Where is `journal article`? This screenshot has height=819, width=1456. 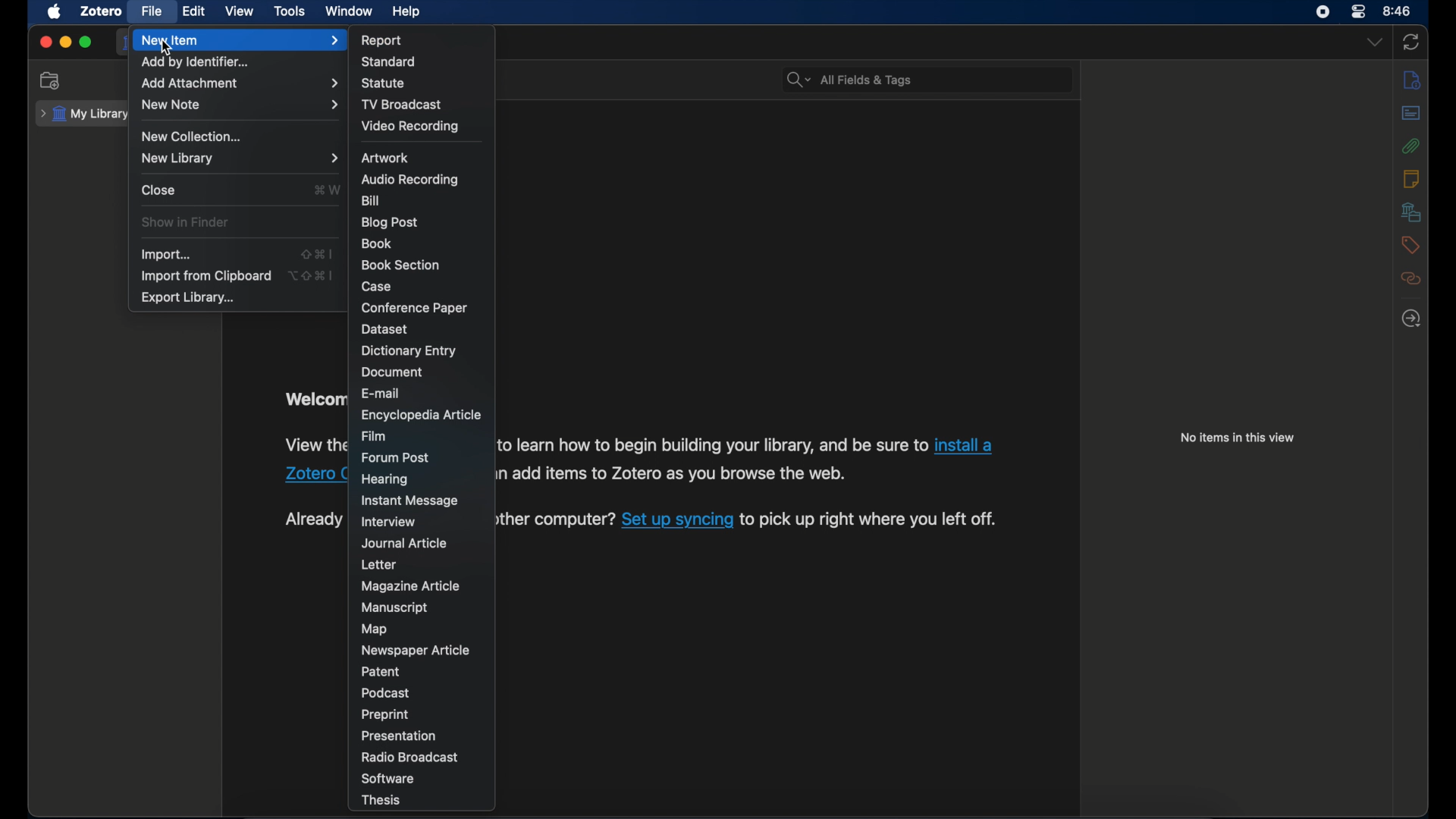 journal article is located at coordinates (406, 543).